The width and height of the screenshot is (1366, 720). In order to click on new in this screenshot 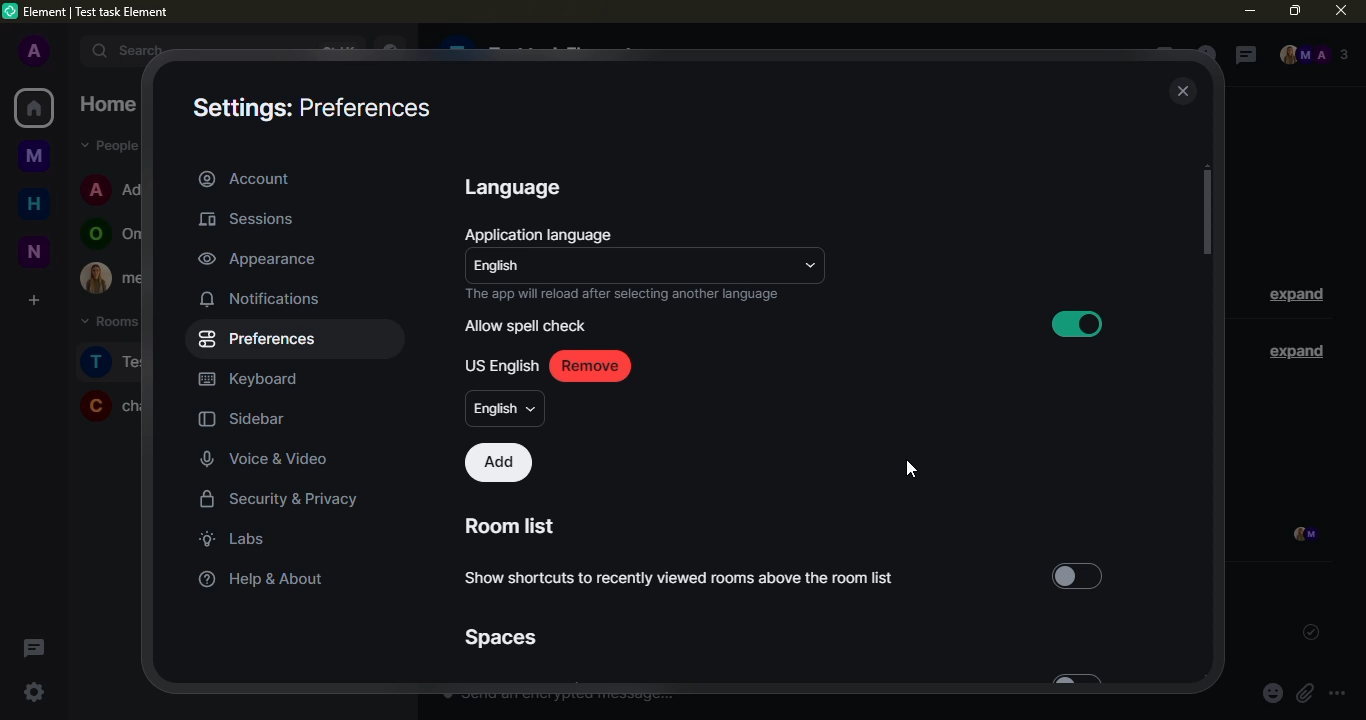, I will do `click(33, 251)`.